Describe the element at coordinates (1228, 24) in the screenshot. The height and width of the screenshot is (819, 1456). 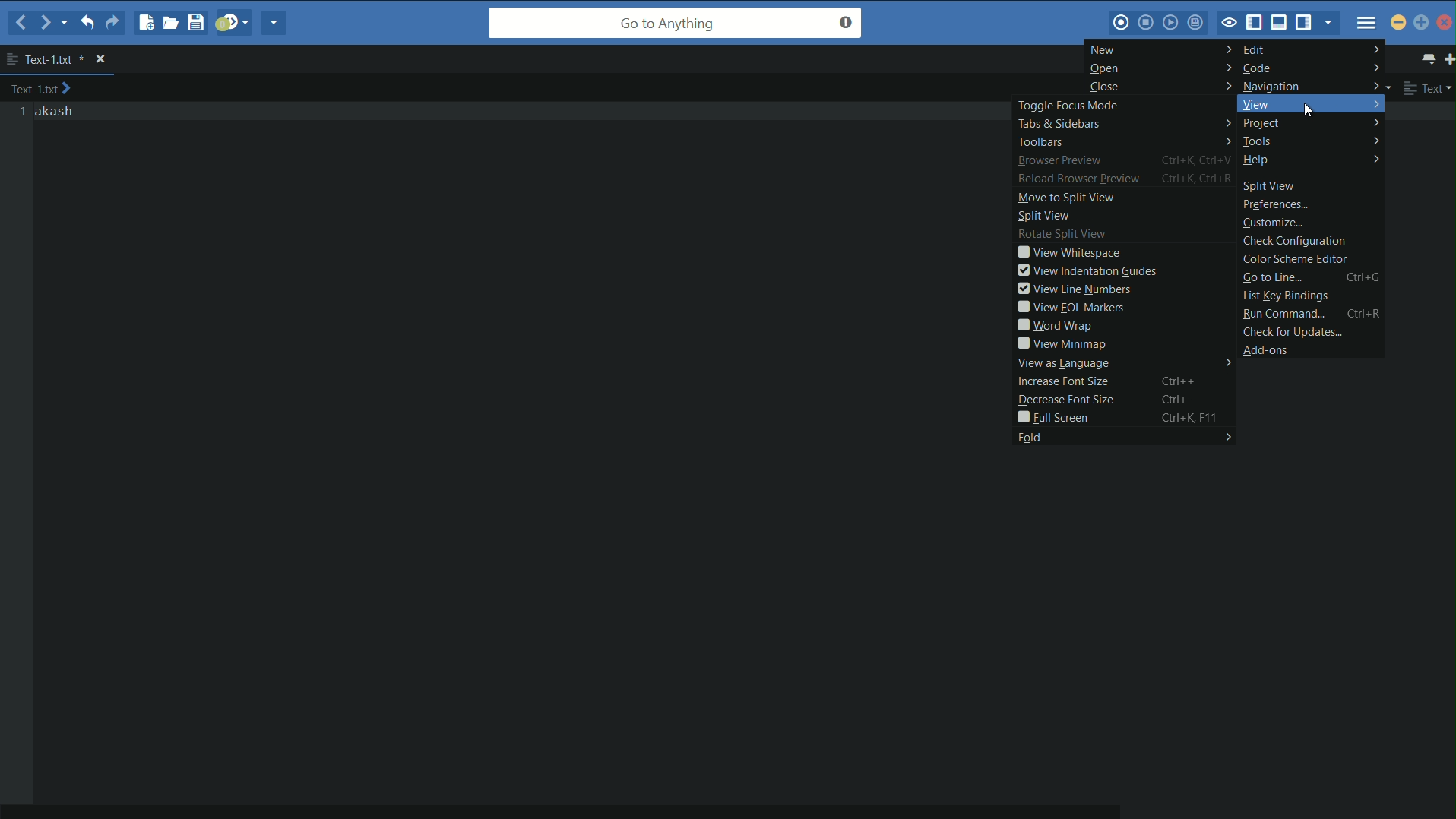
I see `toggle focus mode` at that location.